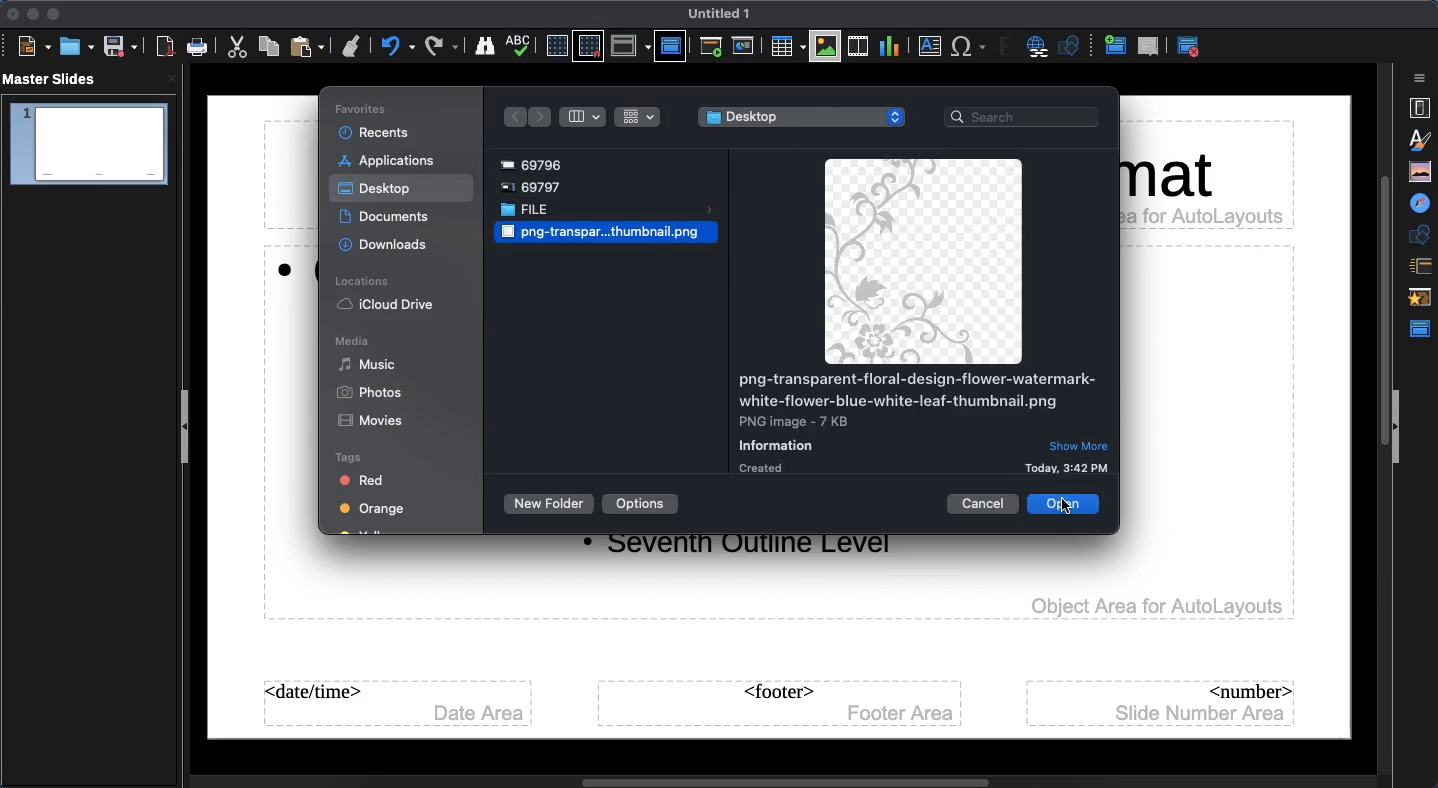 This screenshot has height=788, width=1438. Describe the element at coordinates (1192, 46) in the screenshot. I see `Master view close` at that location.